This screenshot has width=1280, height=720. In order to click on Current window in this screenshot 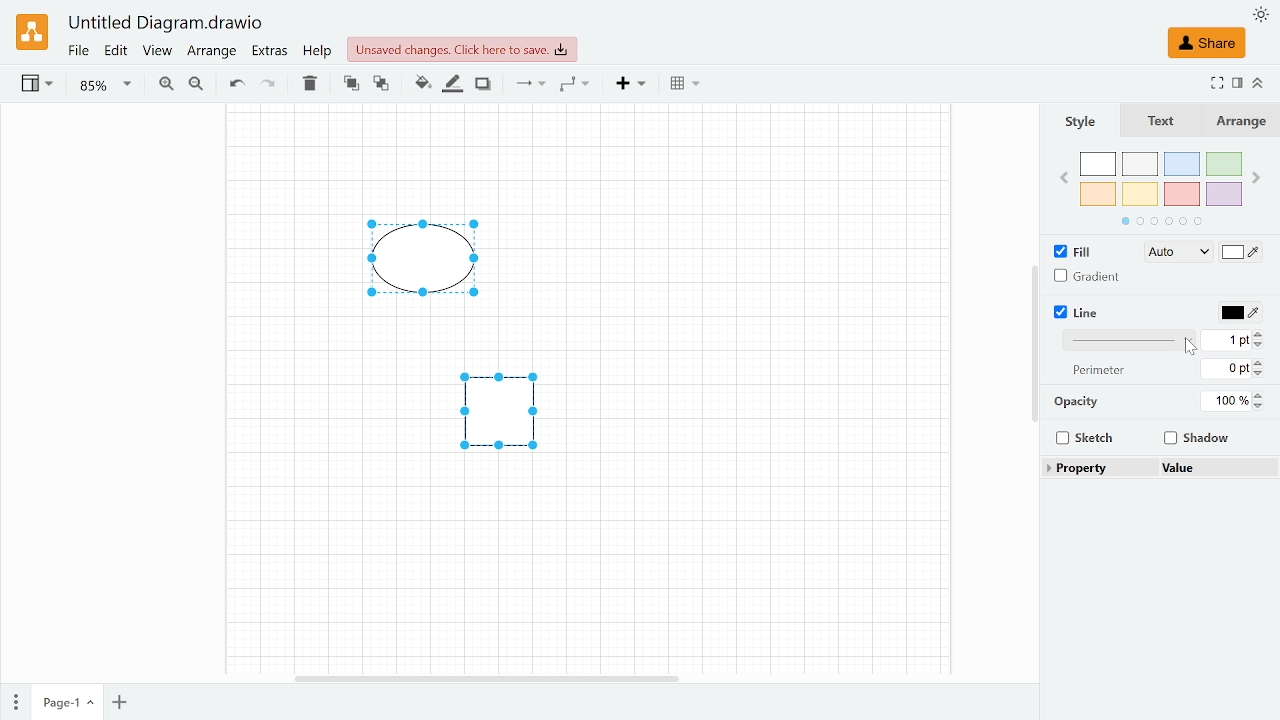, I will do `click(167, 24)`.